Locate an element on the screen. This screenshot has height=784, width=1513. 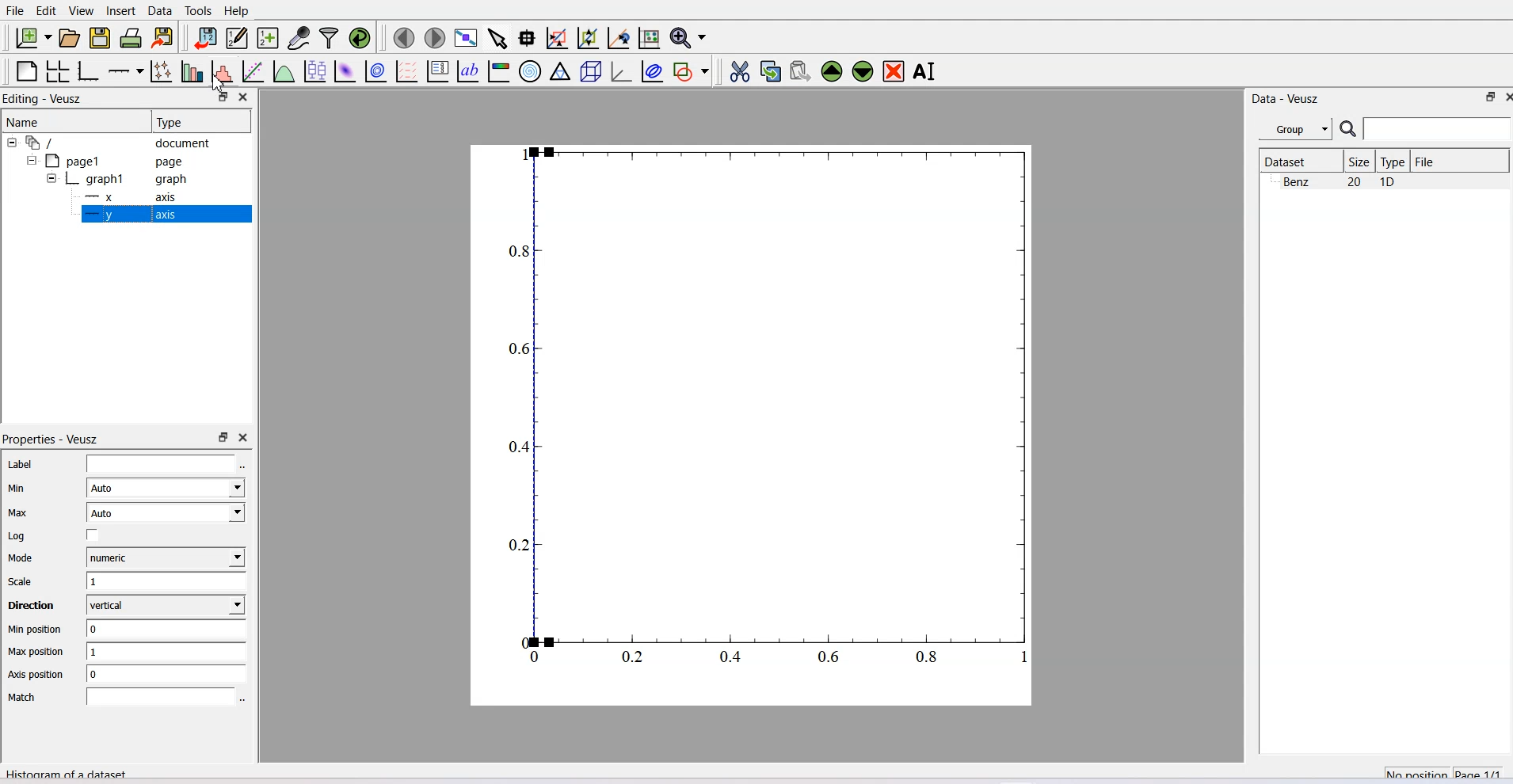
Move to the previous page is located at coordinates (403, 38).